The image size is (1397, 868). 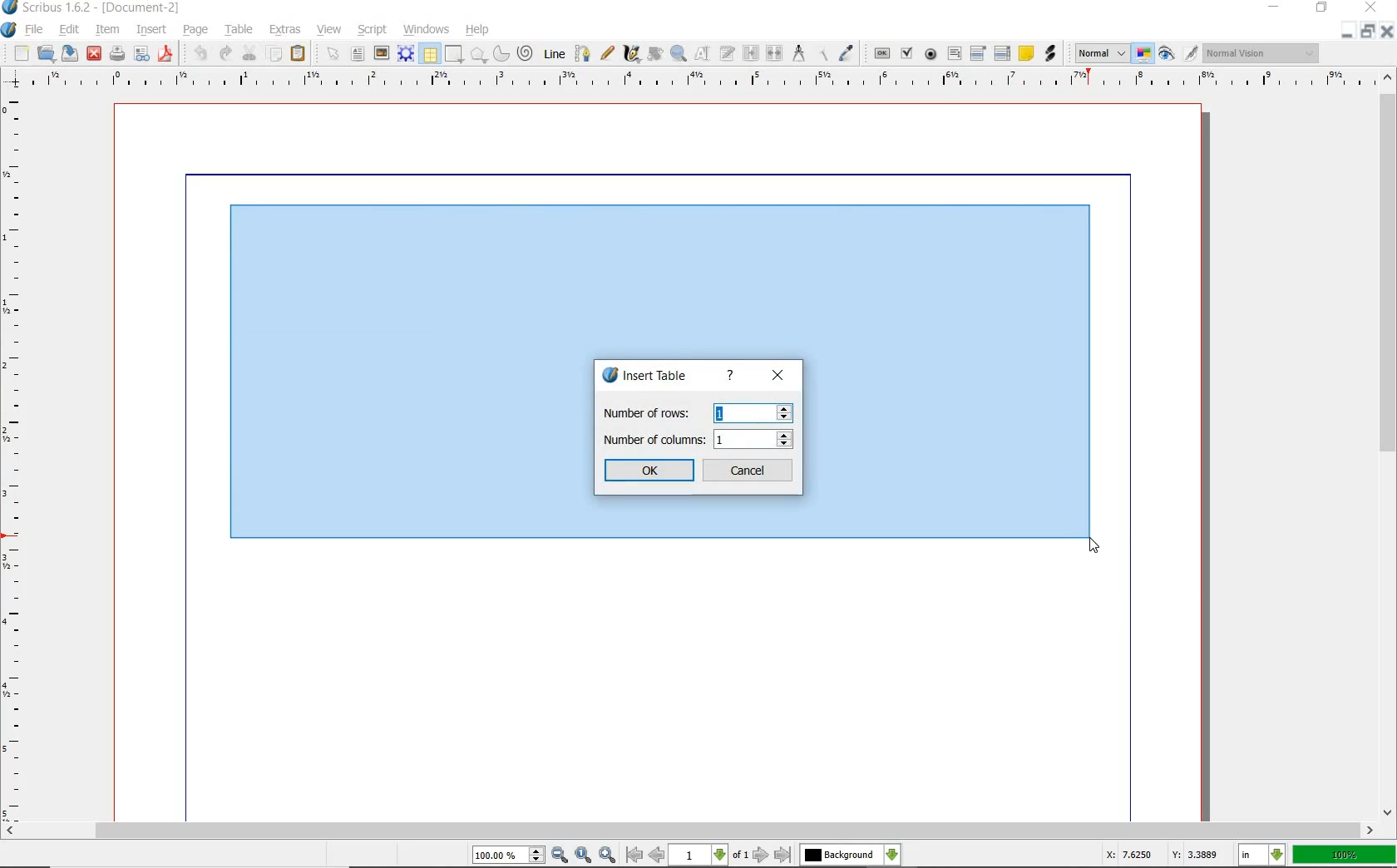 What do you see at coordinates (772, 54) in the screenshot?
I see `unlink text frame` at bounding box center [772, 54].